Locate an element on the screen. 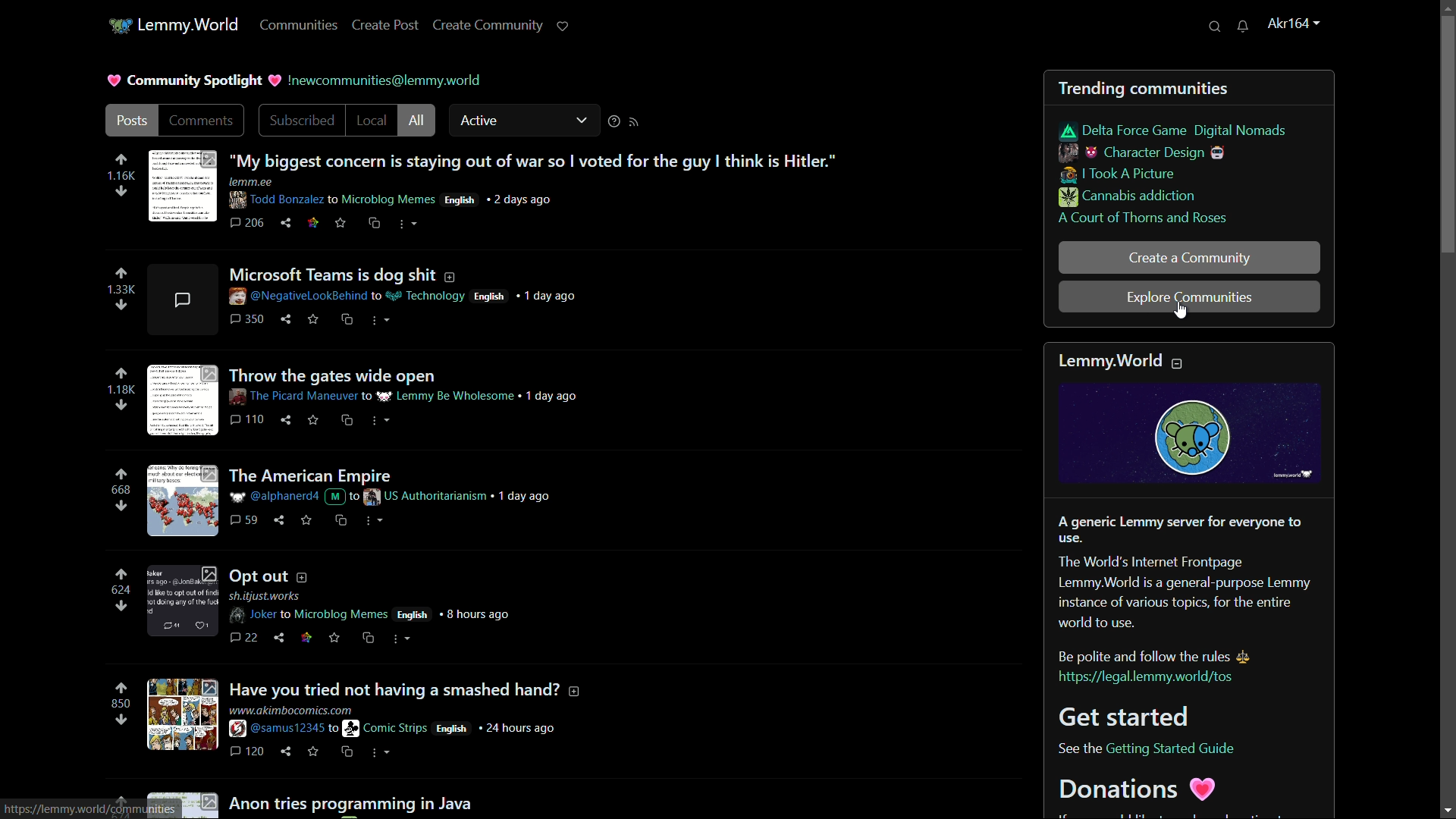  downvote is located at coordinates (120, 406).